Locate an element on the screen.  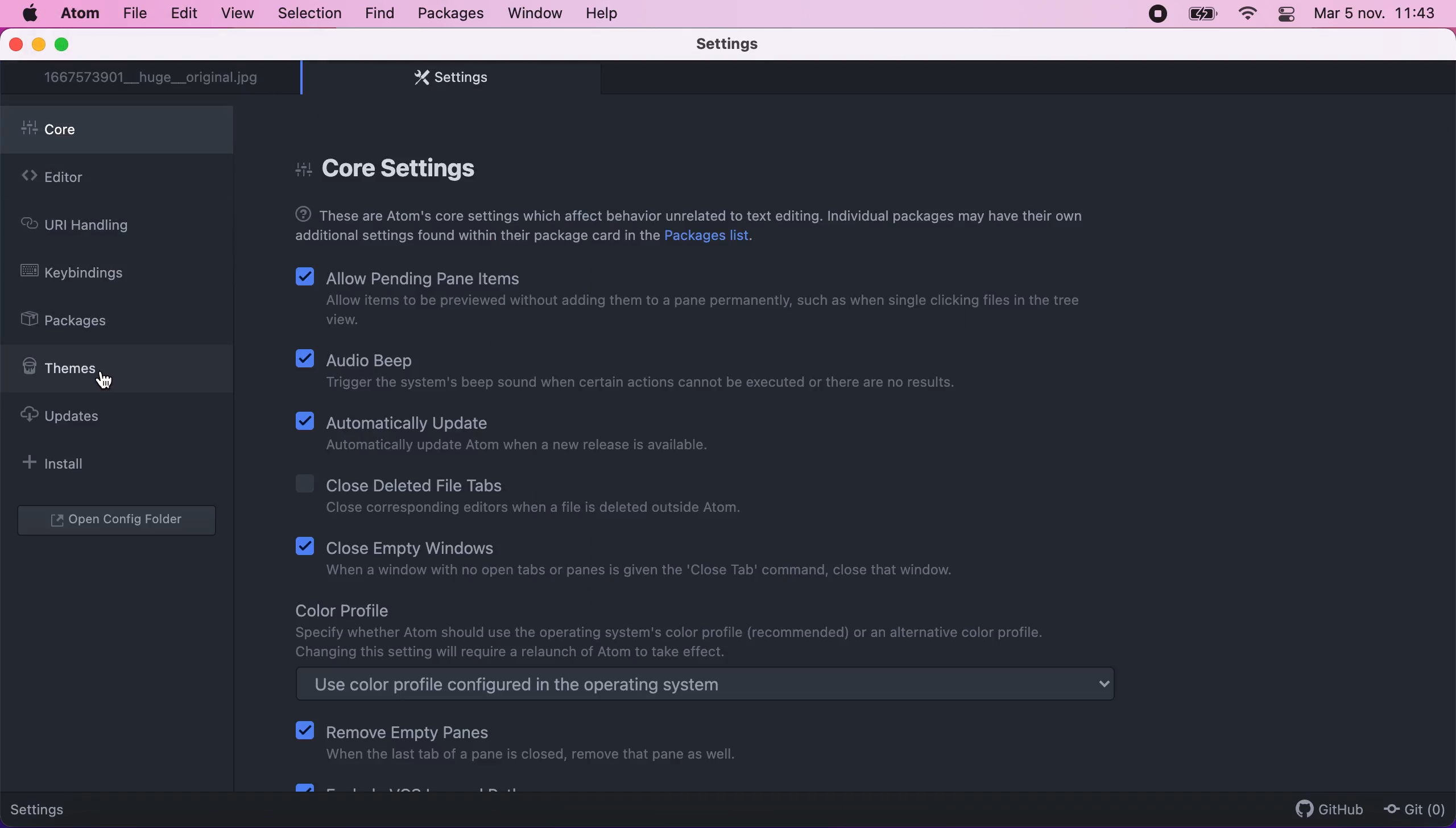
github is located at coordinates (1324, 804).